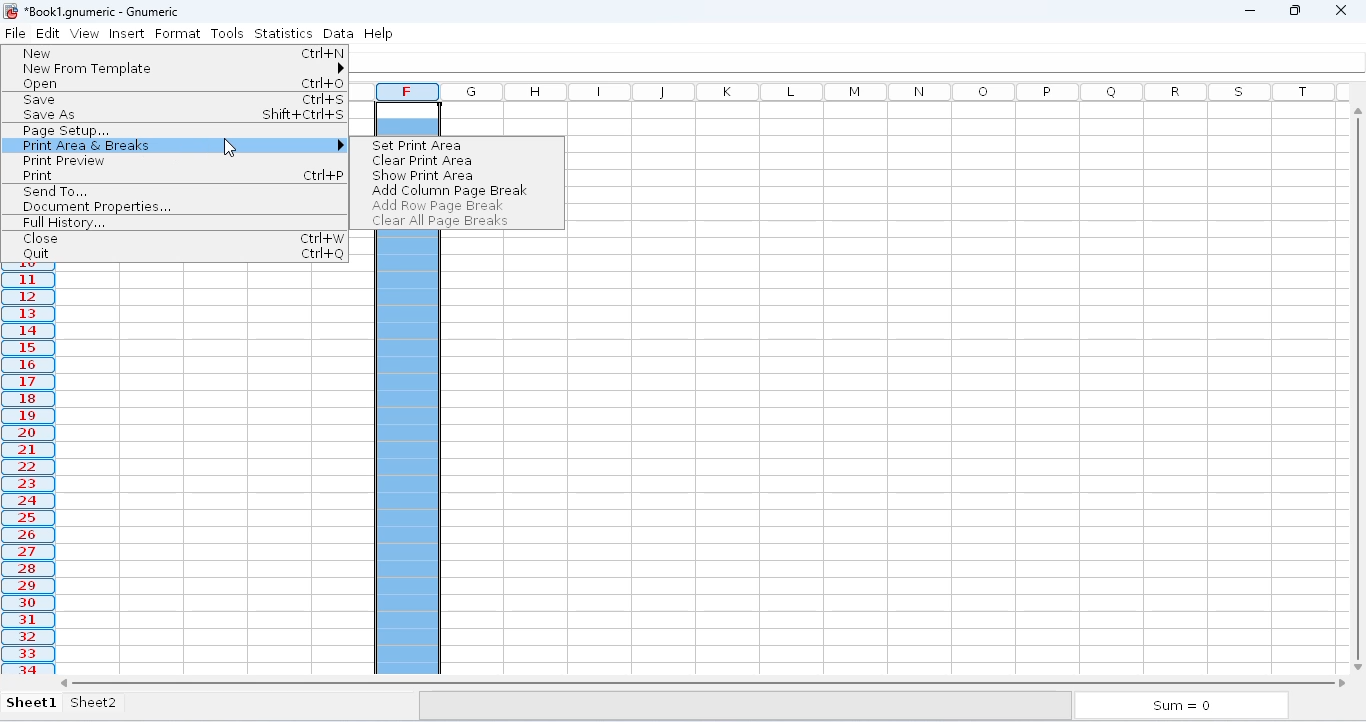 This screenshot has height=722, width=1366. Describe the element at coordinates (11, 10) in the screenshot. I see `logo` at that location.